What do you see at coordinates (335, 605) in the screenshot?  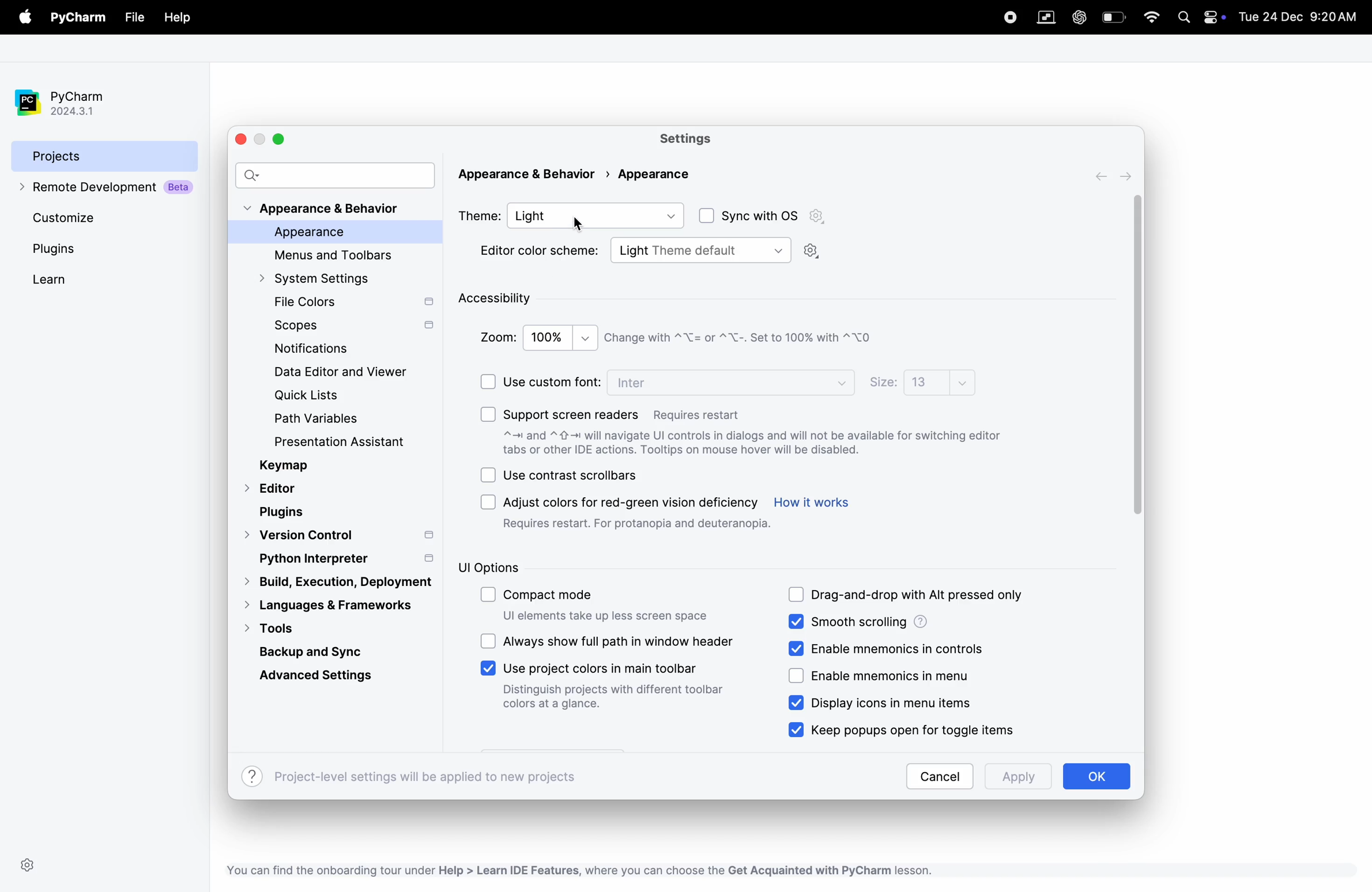 I see `language and frameworks` at bounding box center [335, 605].